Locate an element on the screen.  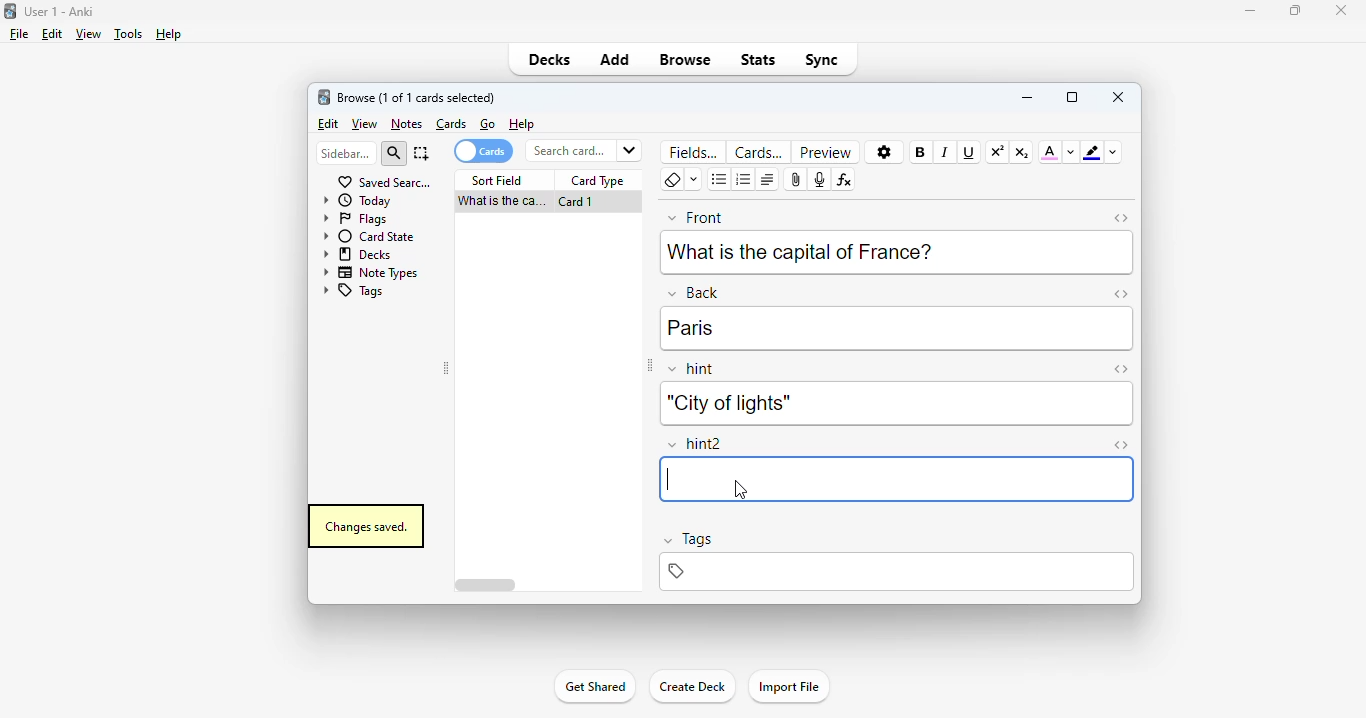
text color is located at coordinates (1050, 151).